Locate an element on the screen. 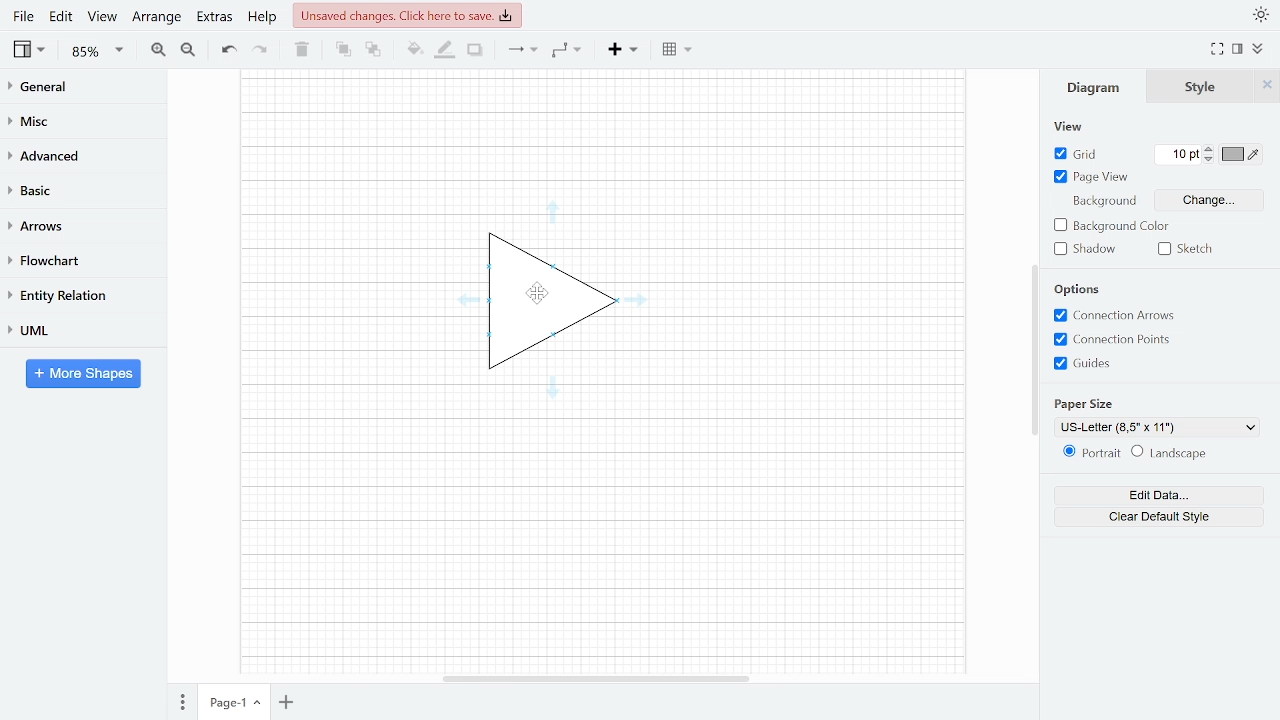  Clear default style is located at coordinates (1161, 517).